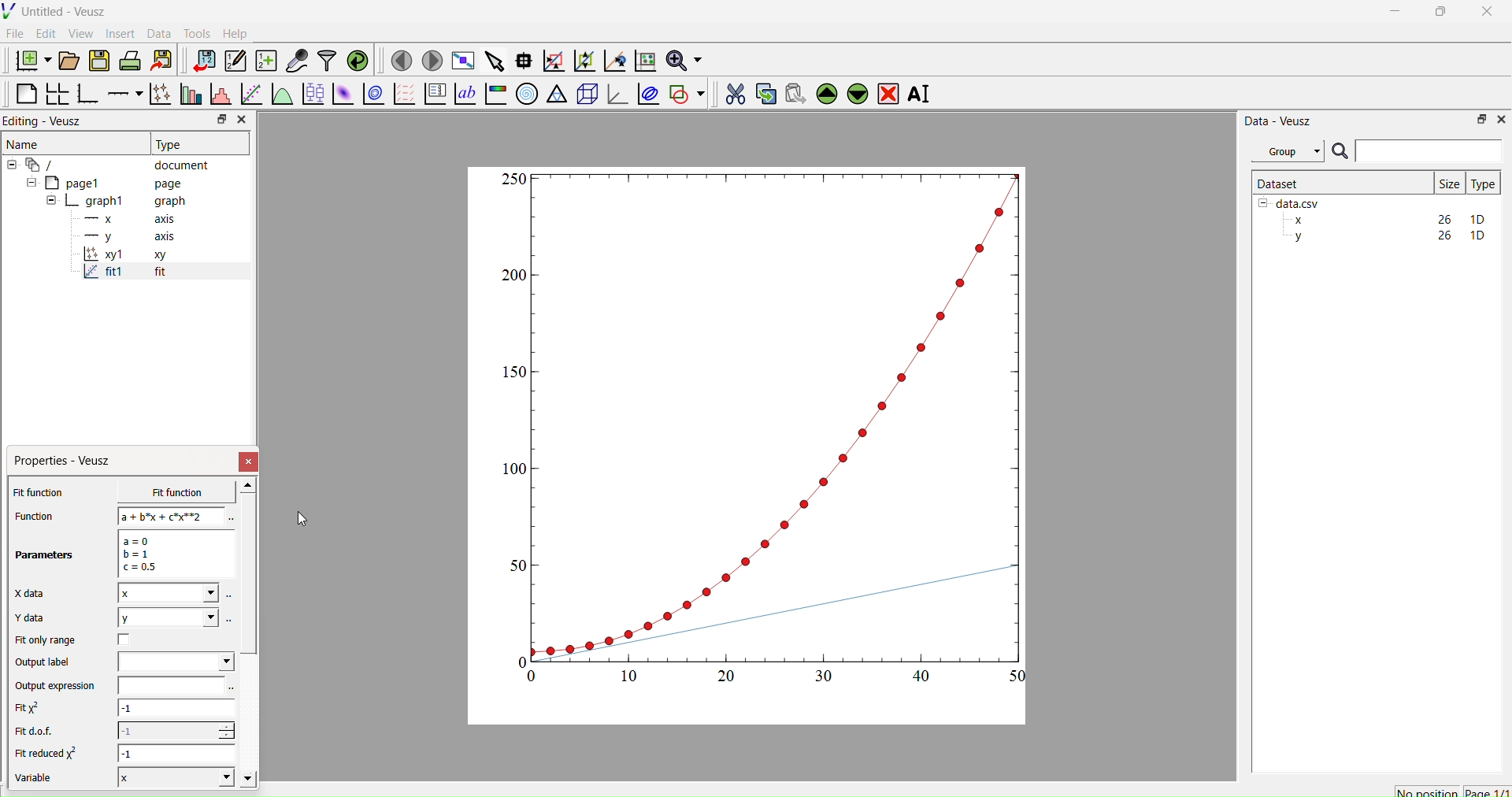 The width and height of the screenshot is (1512, 797). Describe the element at coordinates (326, 60) in the screenshot. I see `Filter data` at that location.